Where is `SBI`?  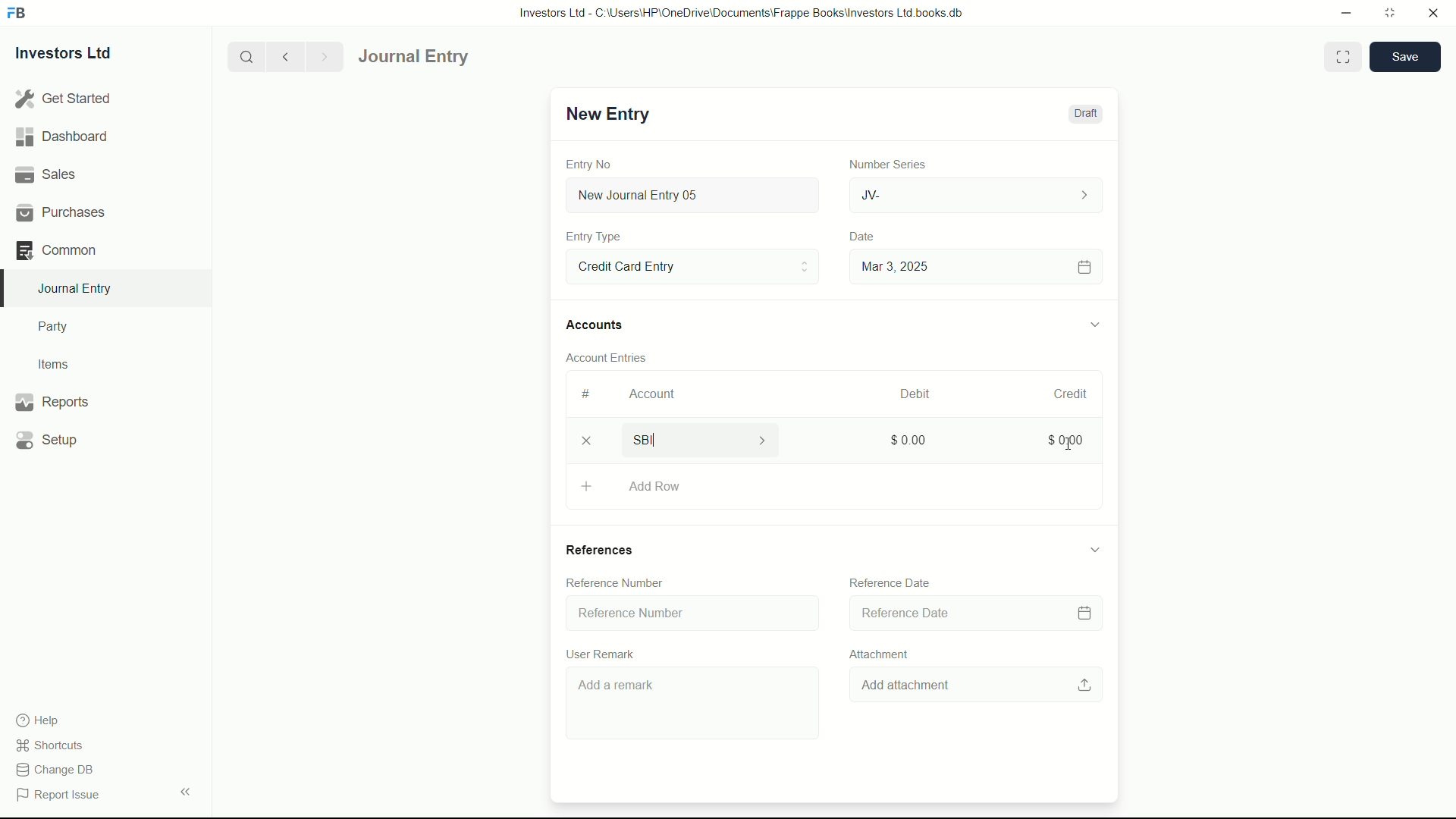 SBI is located at coordinates (710, 439).